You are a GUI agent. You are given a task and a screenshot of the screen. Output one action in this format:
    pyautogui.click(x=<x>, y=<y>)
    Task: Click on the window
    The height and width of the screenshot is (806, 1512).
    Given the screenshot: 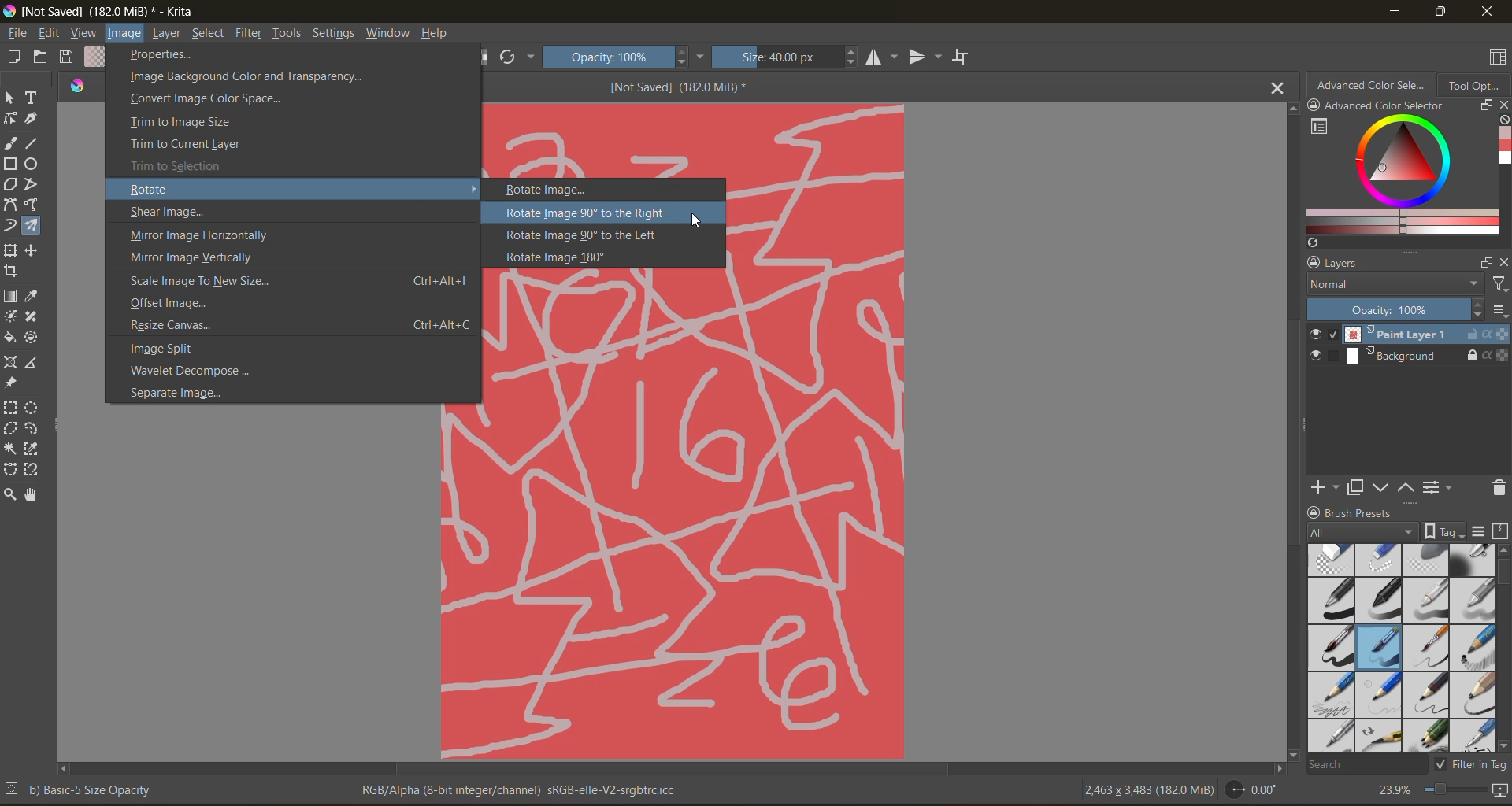 What is the action you would take?
    pyautogui.click(x=391, y=35)
    